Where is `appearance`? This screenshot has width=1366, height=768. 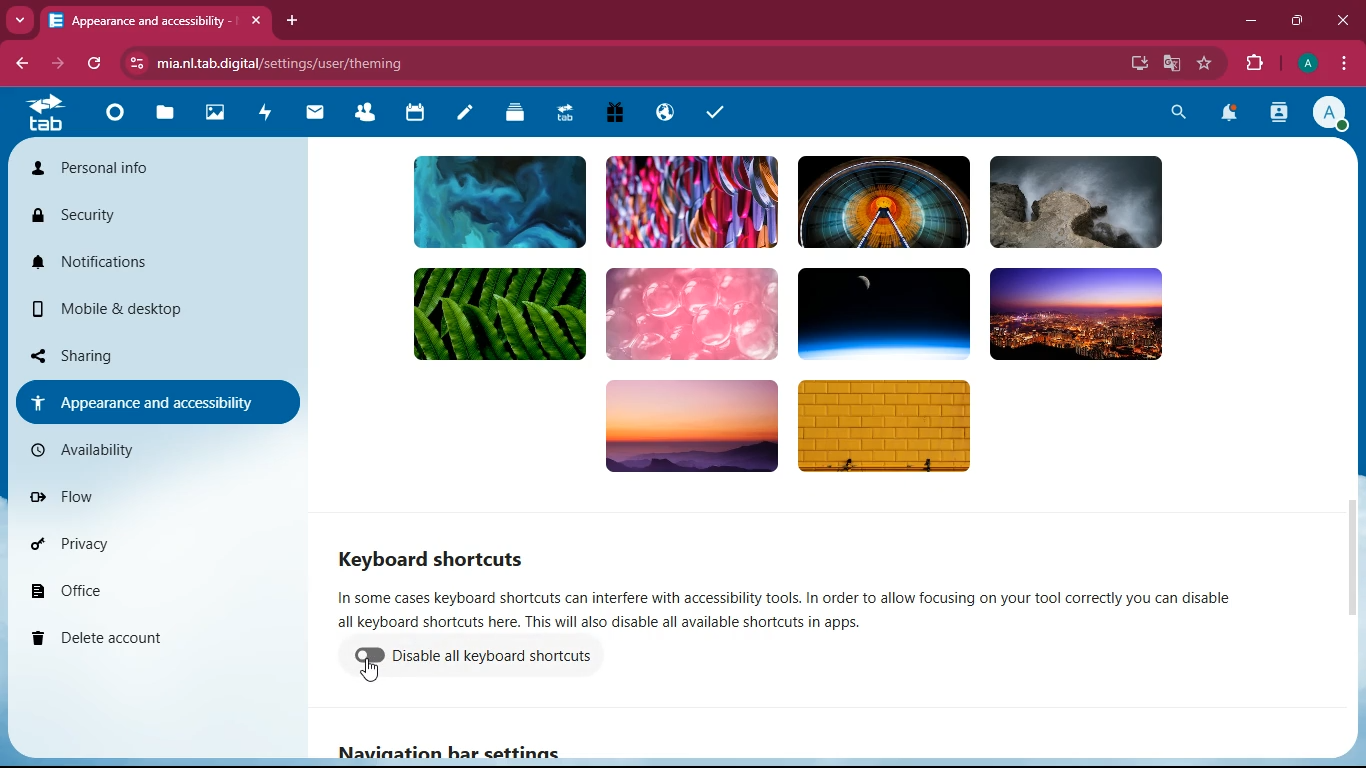 appearance is located at coordinates (150, 403).